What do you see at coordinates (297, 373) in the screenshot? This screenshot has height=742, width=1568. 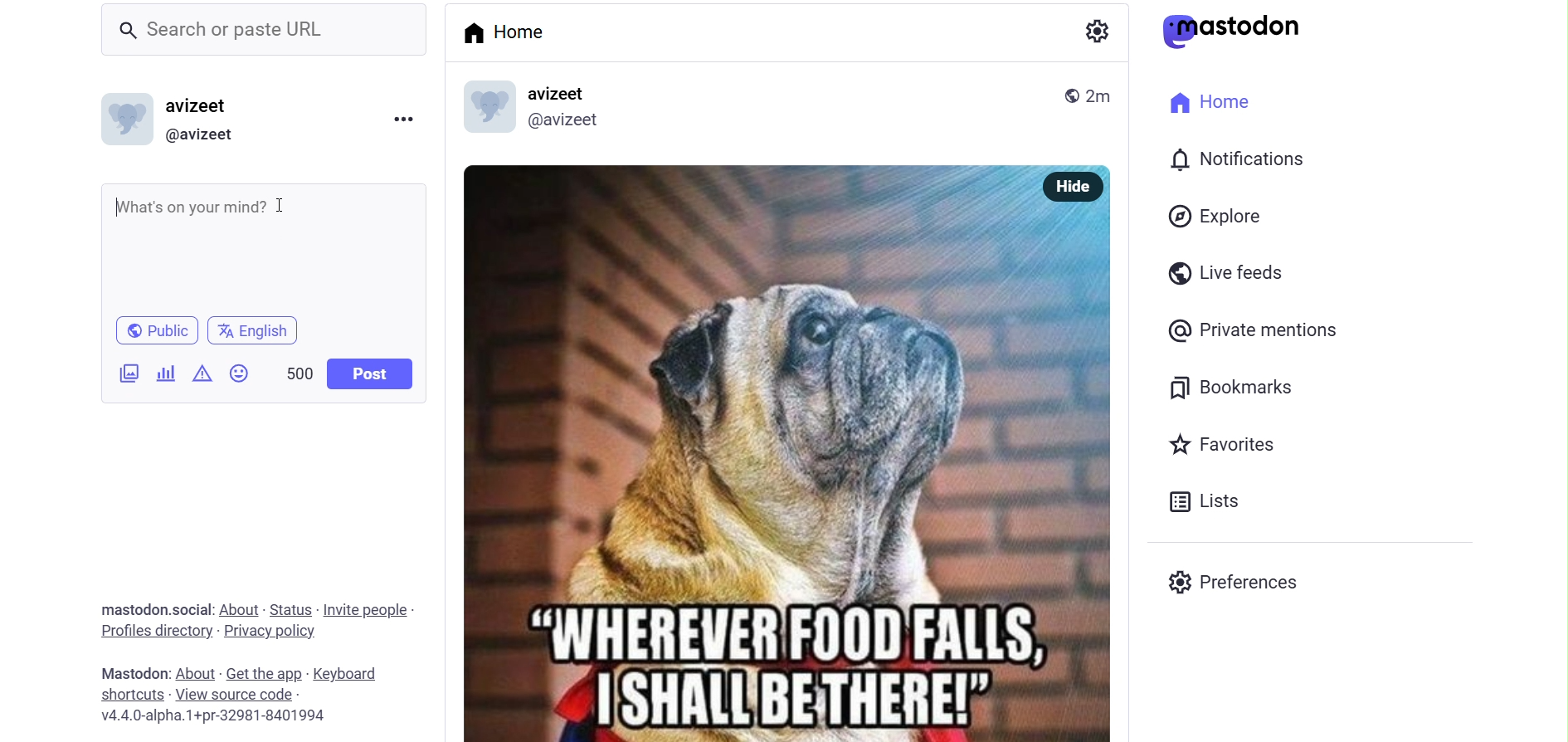 I see `word limit` at bounding box center [297, 373].